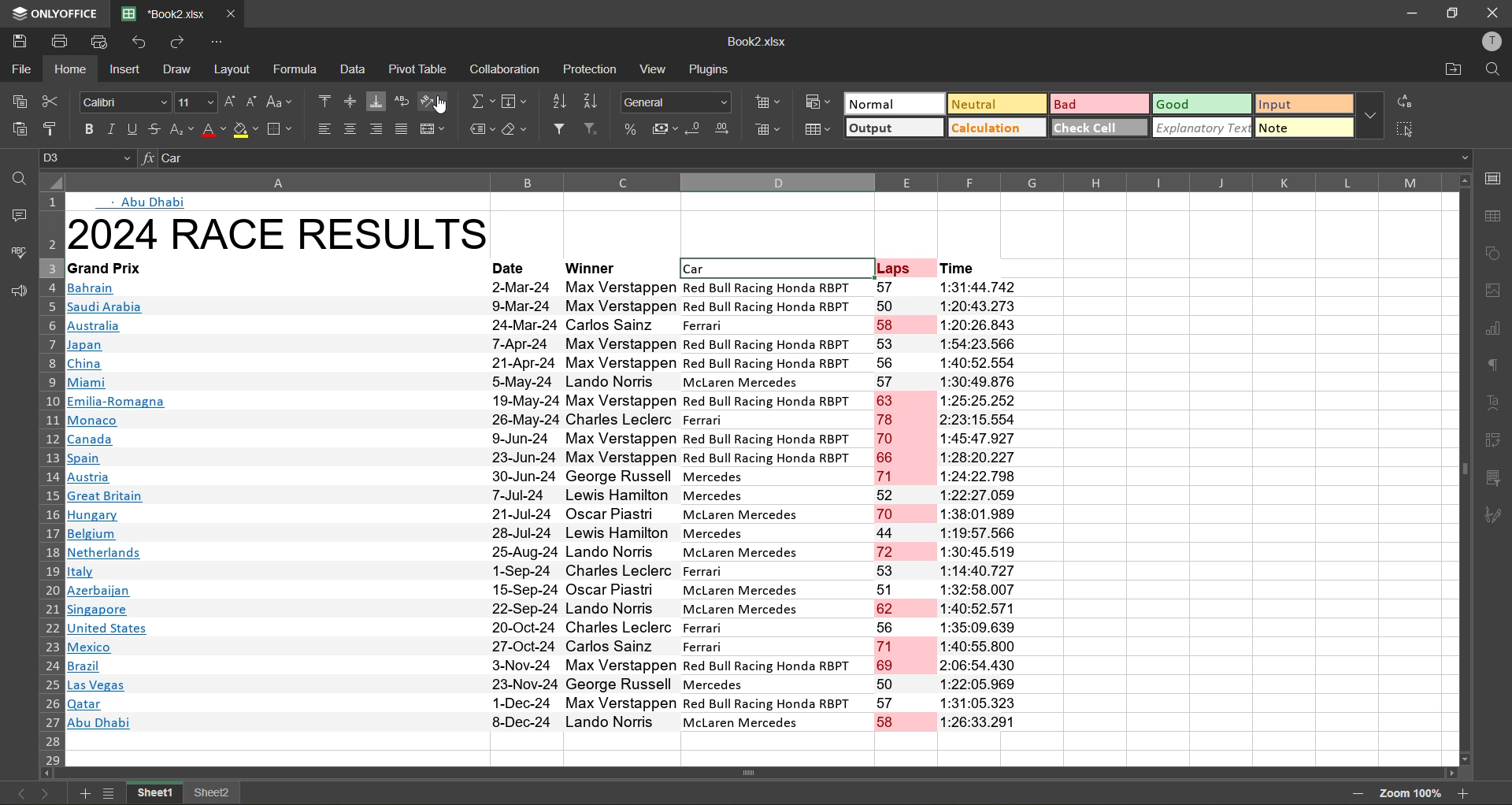 Image resolution: width=1512 pixels, height=805 pixels. Describe the element at coordinates (759, 40) in the screenshot. I see `file name` at that location.